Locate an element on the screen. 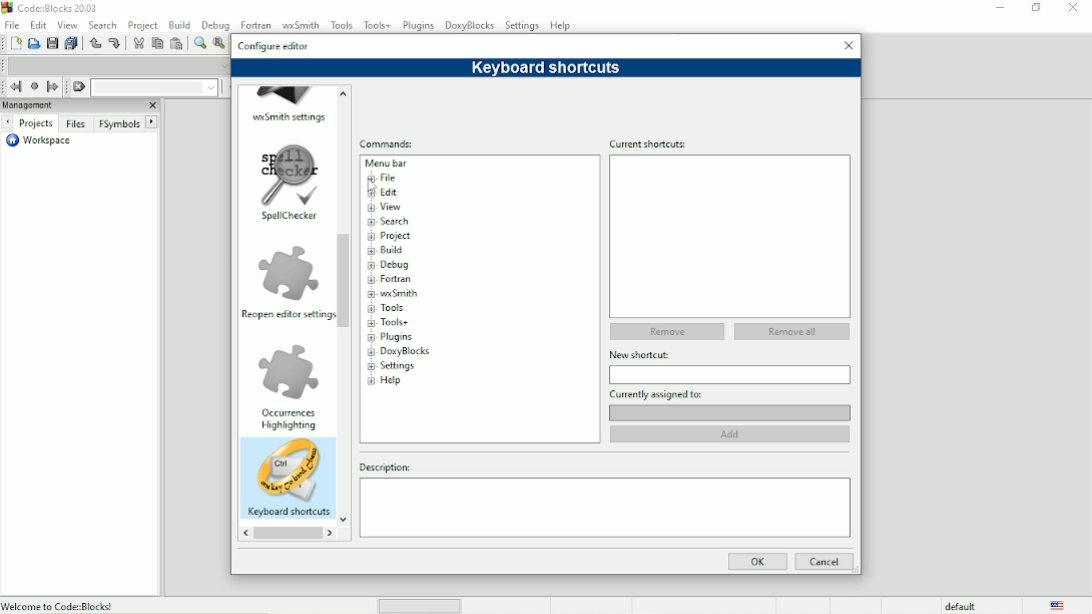 The width and height of the screenshot is (1092, 614). Keyboard shortcuts is located at coordinates (288, 513).